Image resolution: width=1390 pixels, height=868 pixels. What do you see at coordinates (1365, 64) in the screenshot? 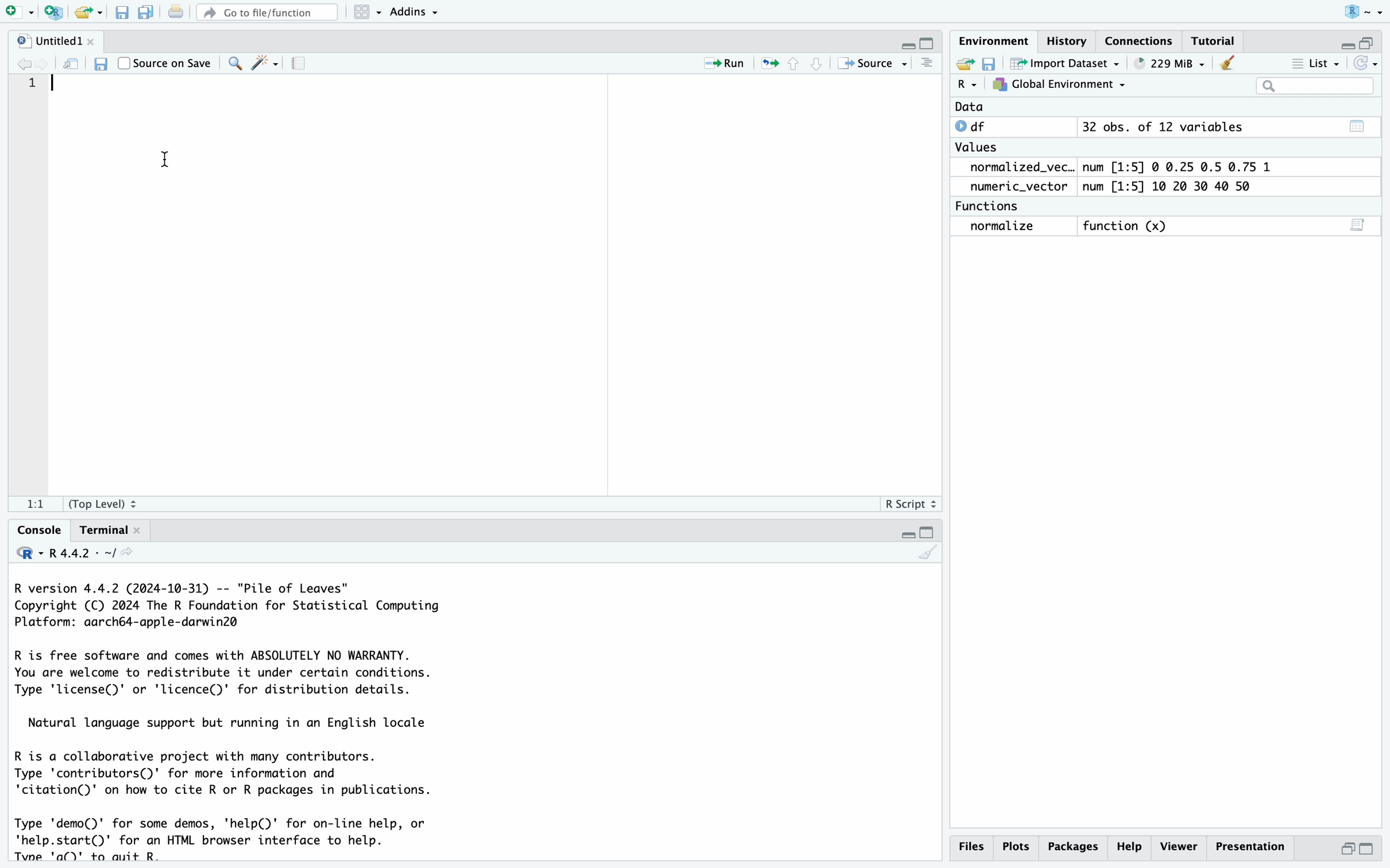
I see `refresh` at bounding box center [1365, 64].